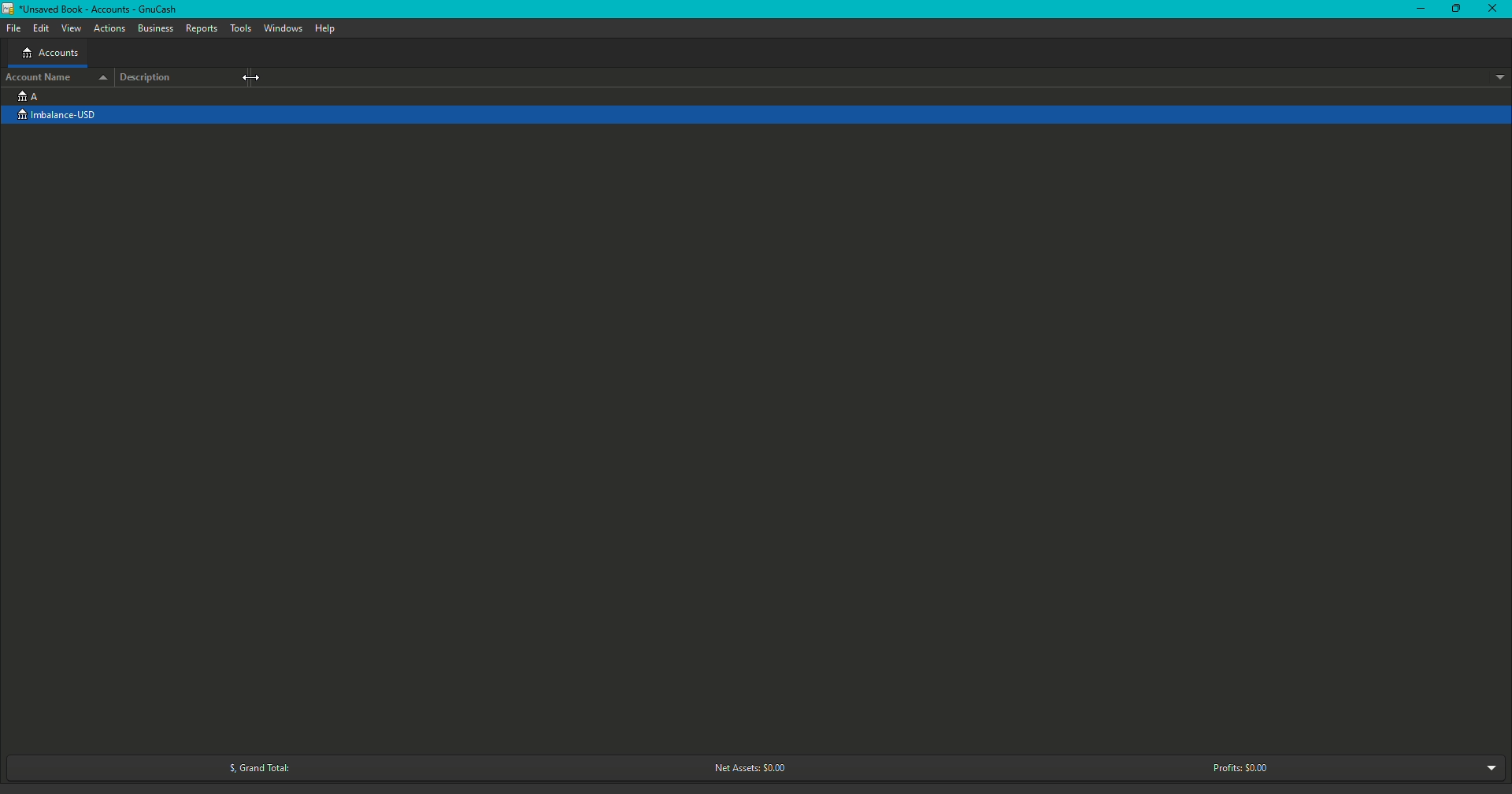 This screenshot has height=794, width=1512. Describe the element at coordinates (283, 28) in the screenshot. I see `Windows` at that location.